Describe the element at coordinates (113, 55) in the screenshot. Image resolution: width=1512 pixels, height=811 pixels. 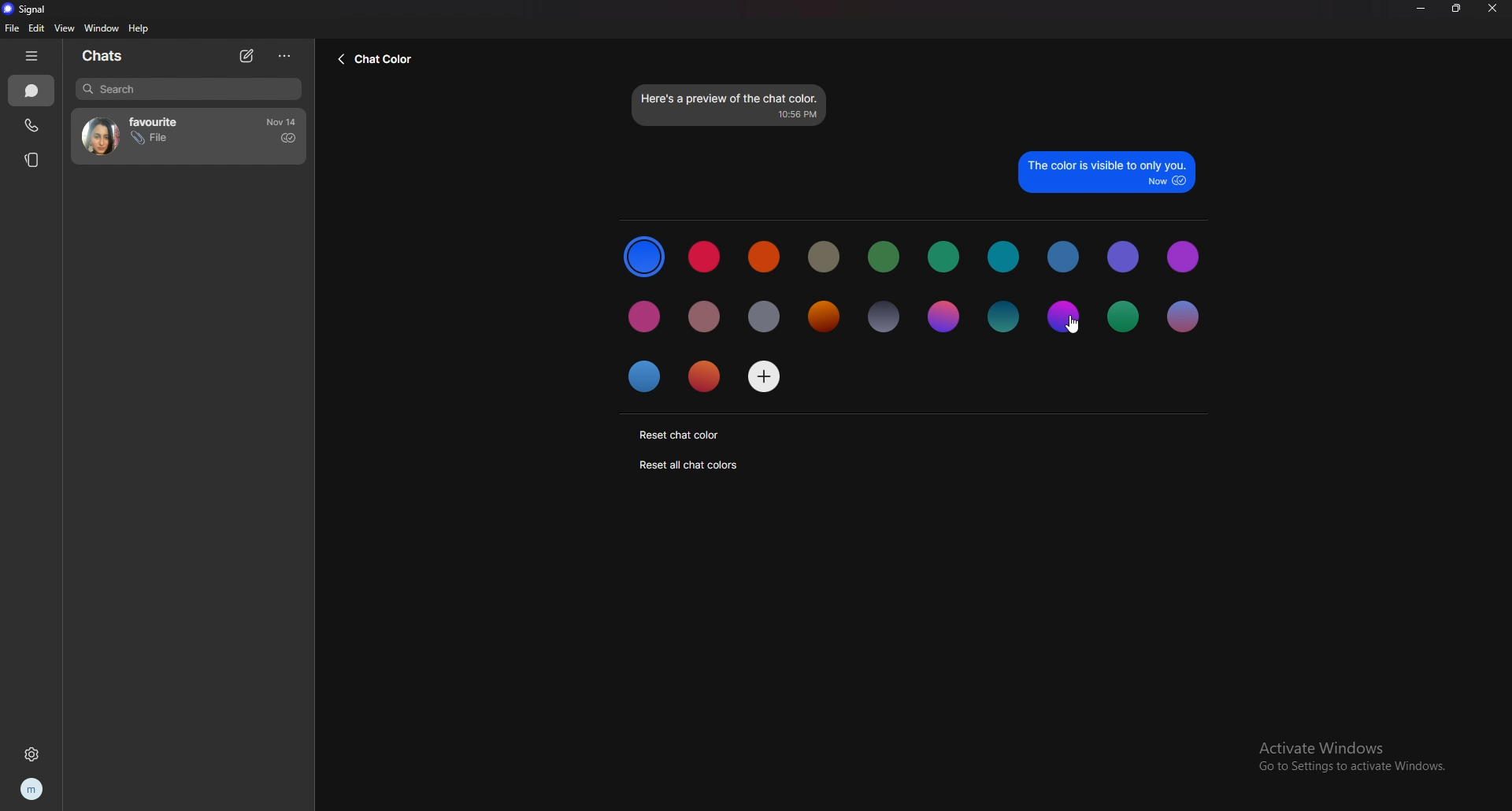
I see `chats` at that location.